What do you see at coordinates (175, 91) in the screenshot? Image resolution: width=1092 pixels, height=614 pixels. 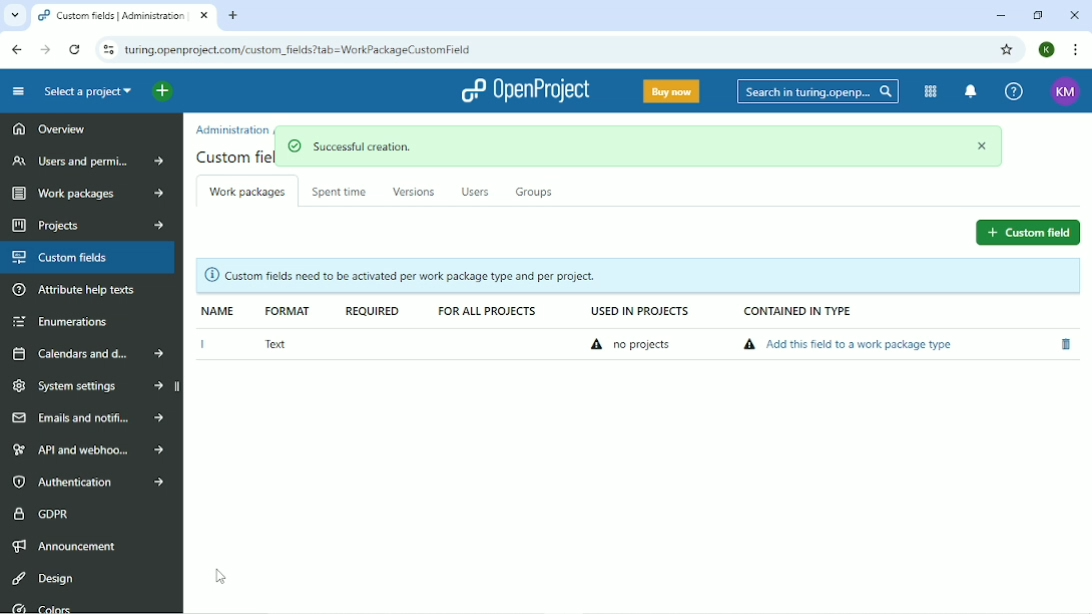 I see `Open quick add menu` at bounding box center [175, 91].